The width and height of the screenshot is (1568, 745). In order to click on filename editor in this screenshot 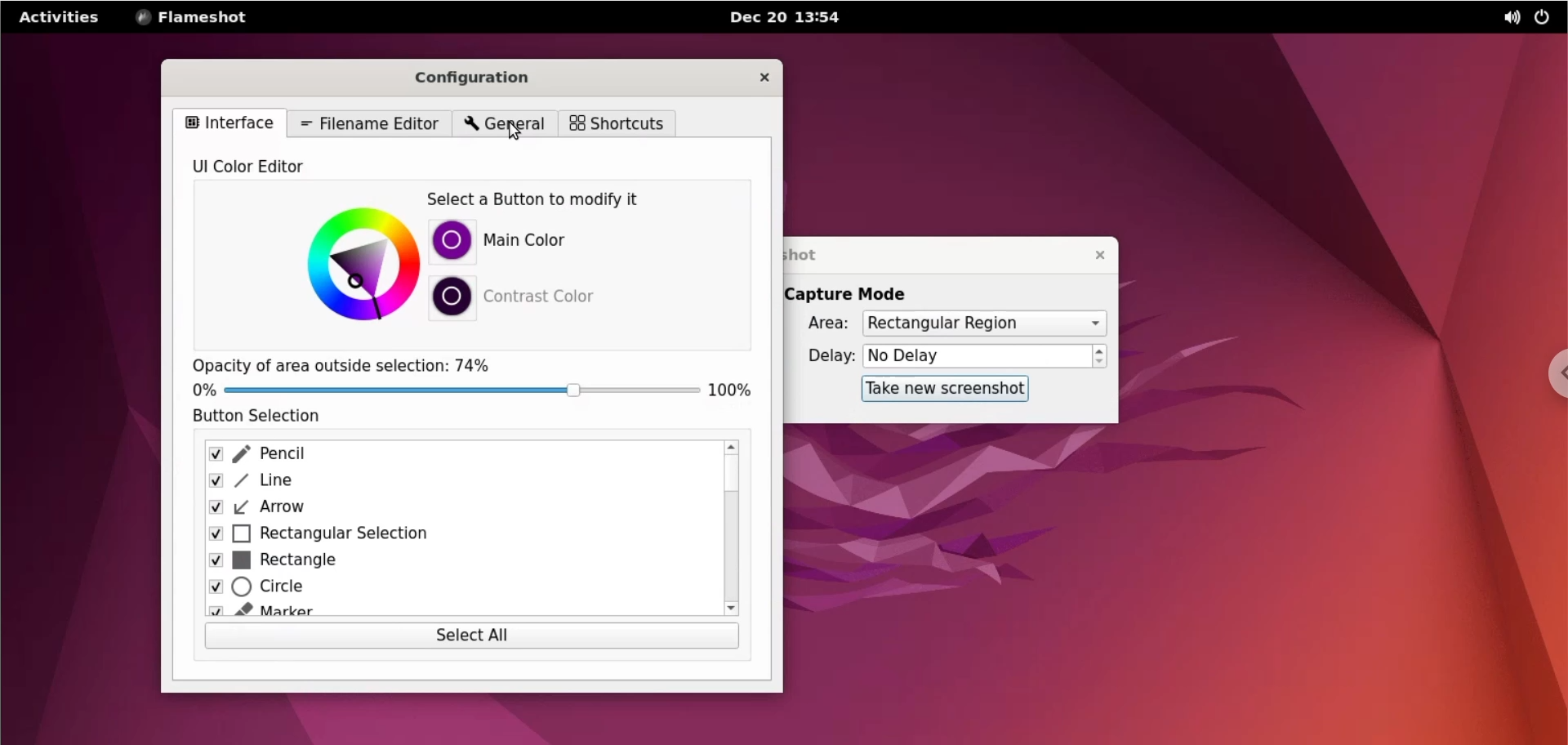, I will do `click(366, 123)`.